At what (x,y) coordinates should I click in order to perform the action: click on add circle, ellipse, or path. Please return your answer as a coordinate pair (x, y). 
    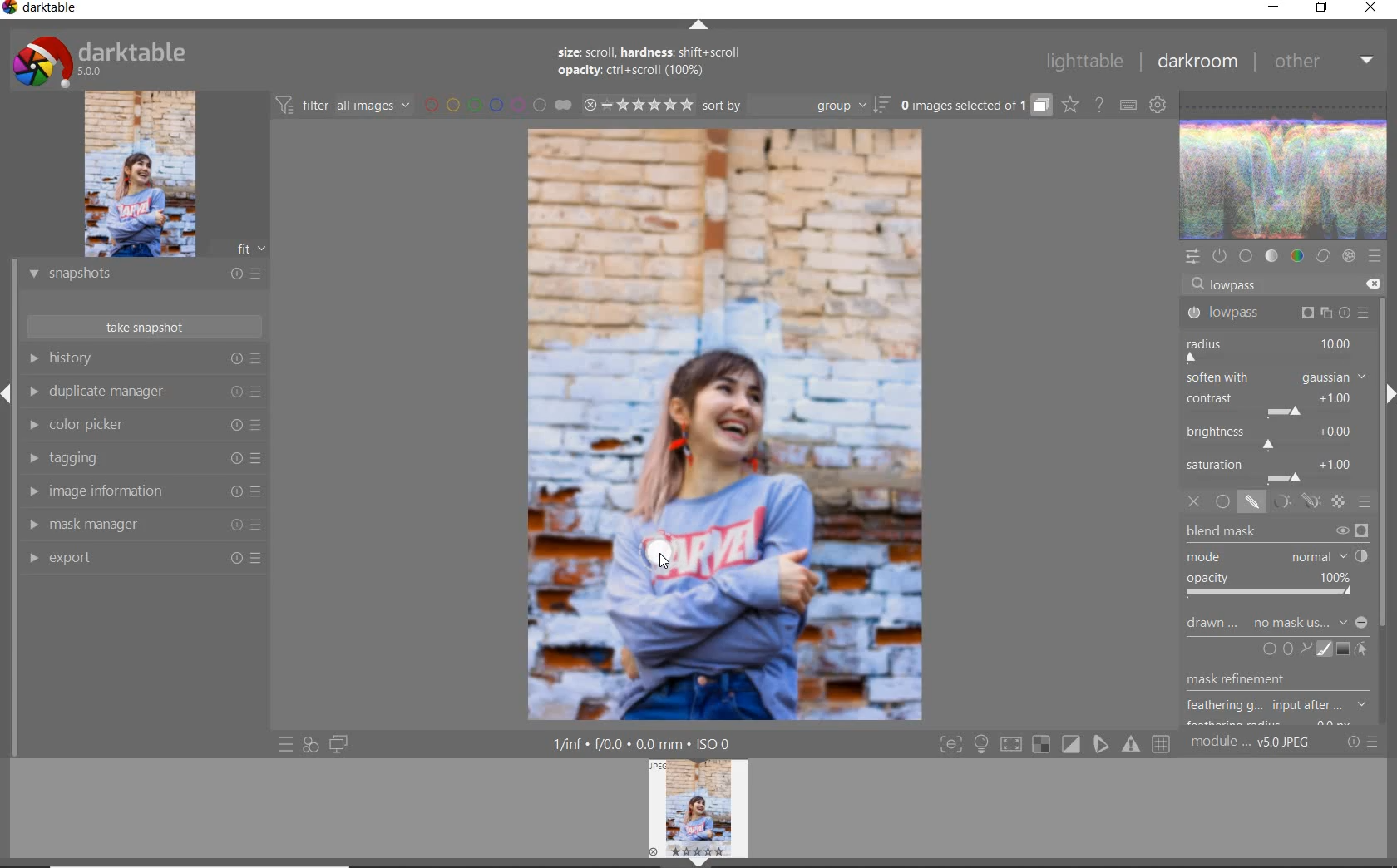
    Looking at the image, I should click on (1287, 650).